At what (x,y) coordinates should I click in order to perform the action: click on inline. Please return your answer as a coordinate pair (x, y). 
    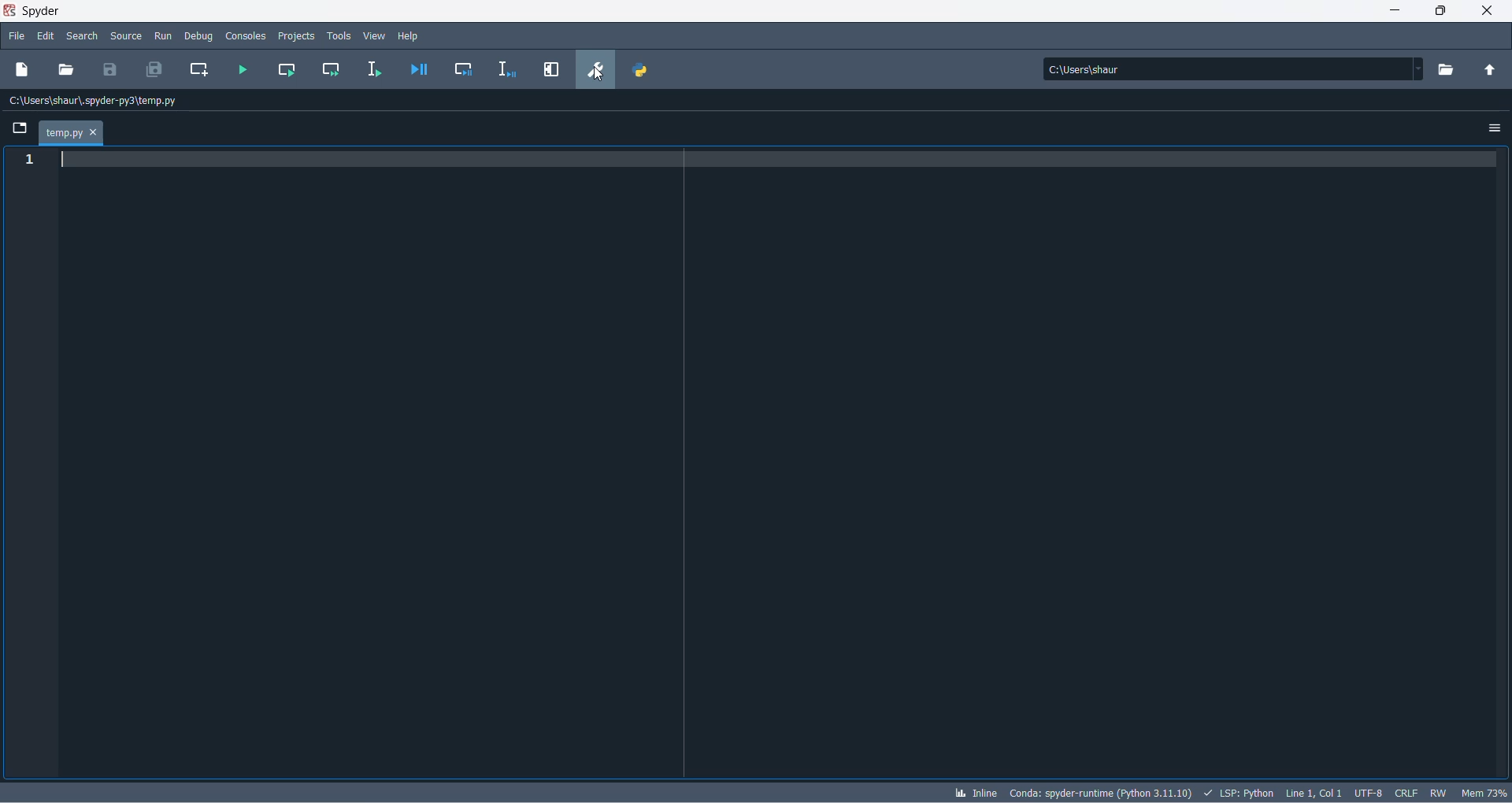
    Looking at the image, I should click on (974, 792).